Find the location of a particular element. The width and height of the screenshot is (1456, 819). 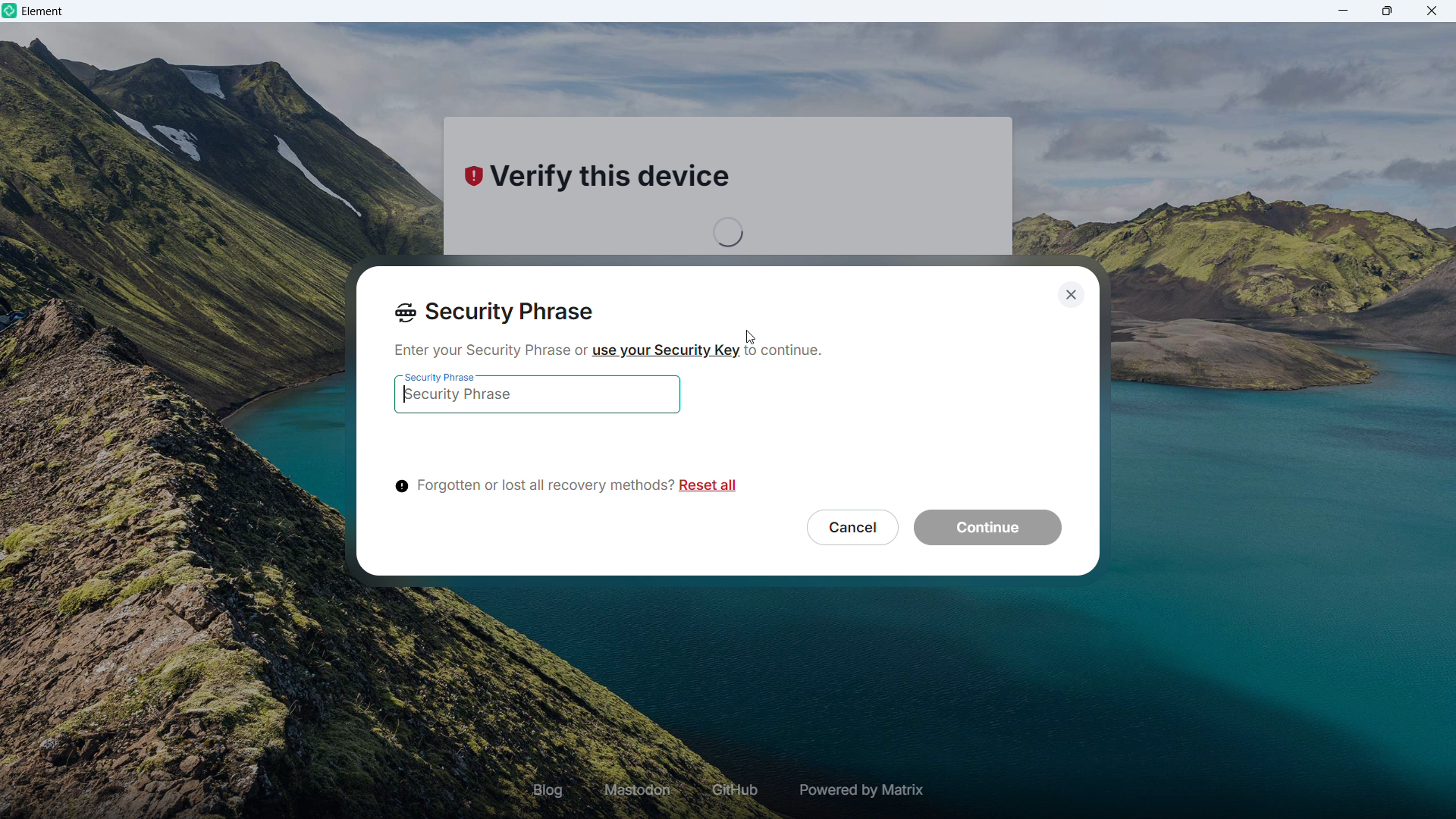

cursor movement is located at coordinates (754, 337).